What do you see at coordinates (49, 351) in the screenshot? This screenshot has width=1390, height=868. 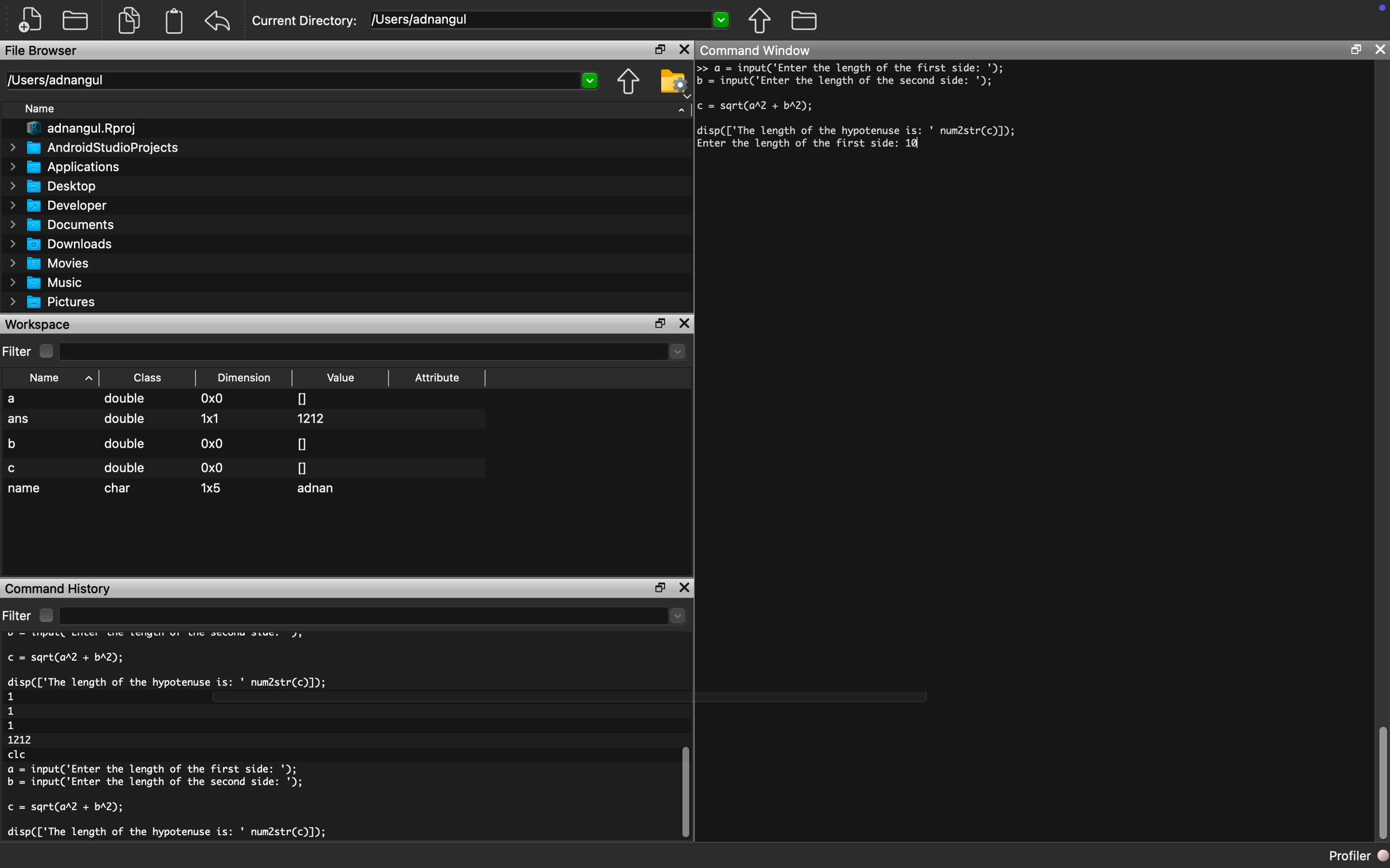 I see `checkbox` at bounding box center [49, 351].